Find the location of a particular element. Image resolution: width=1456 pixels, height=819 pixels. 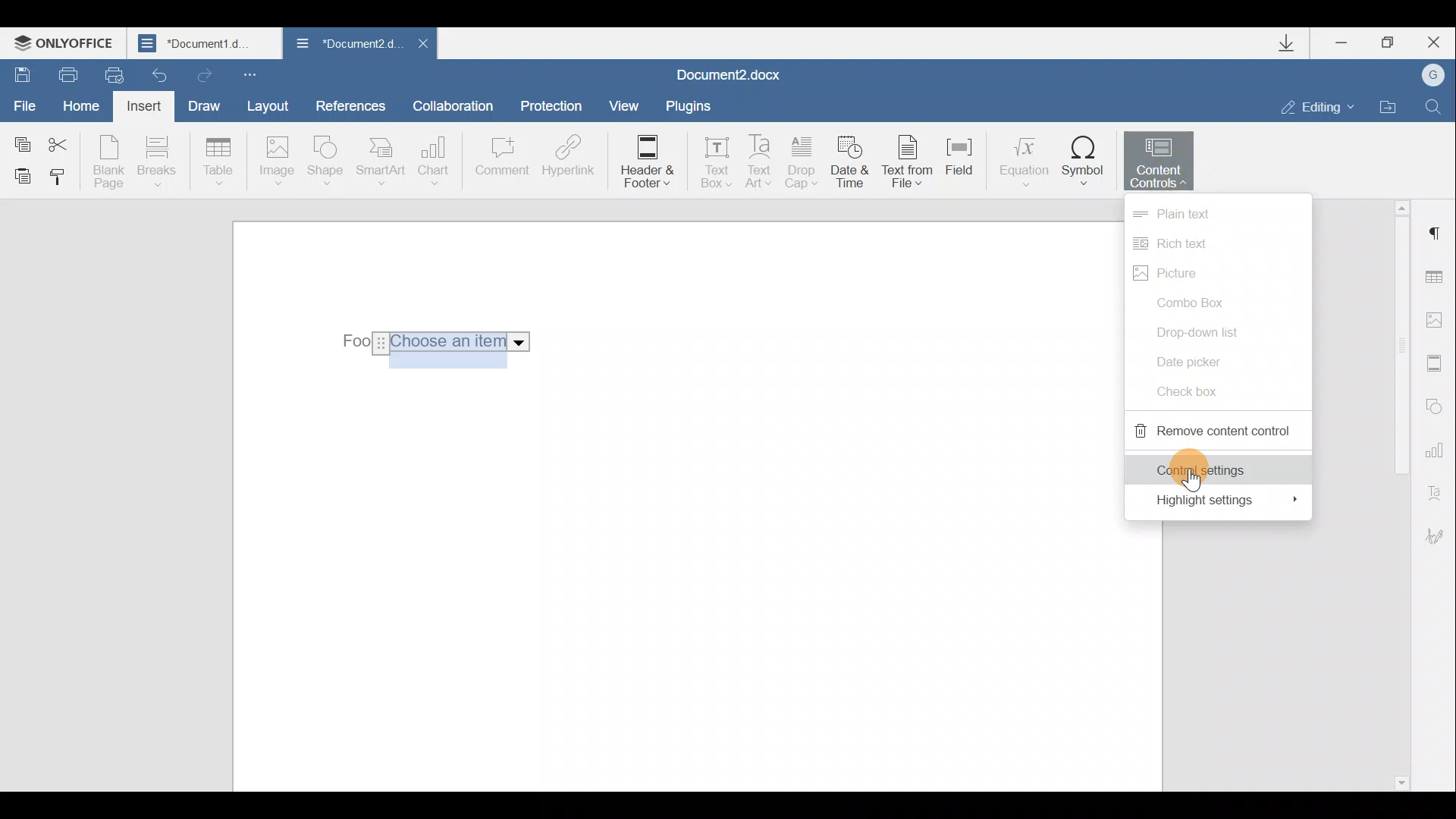

Header & footer is located at coordinates (646, 162).